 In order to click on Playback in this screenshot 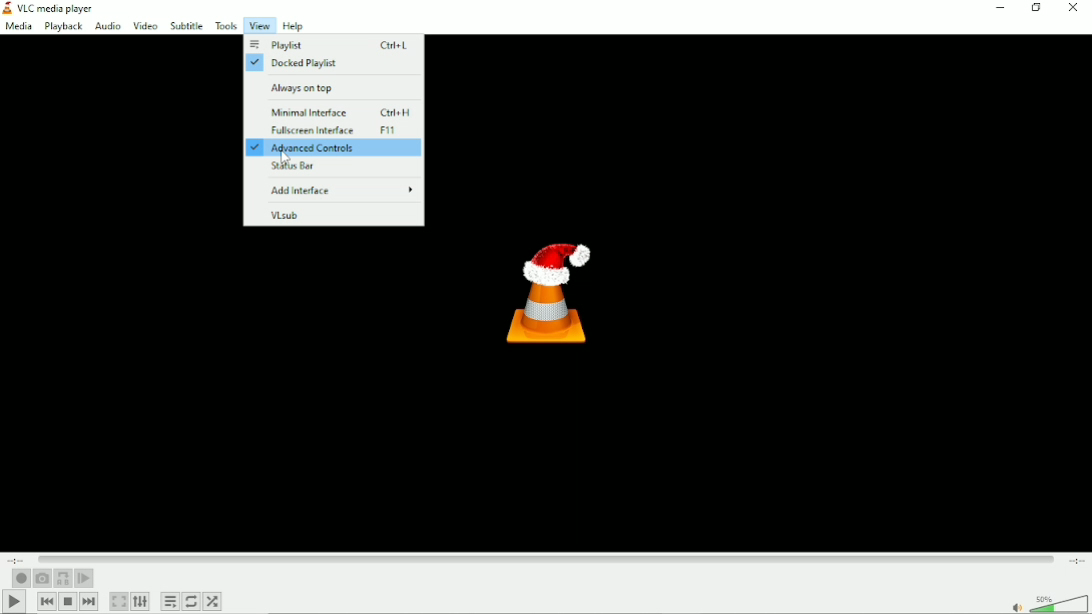, I will do `click(61, 25)`.